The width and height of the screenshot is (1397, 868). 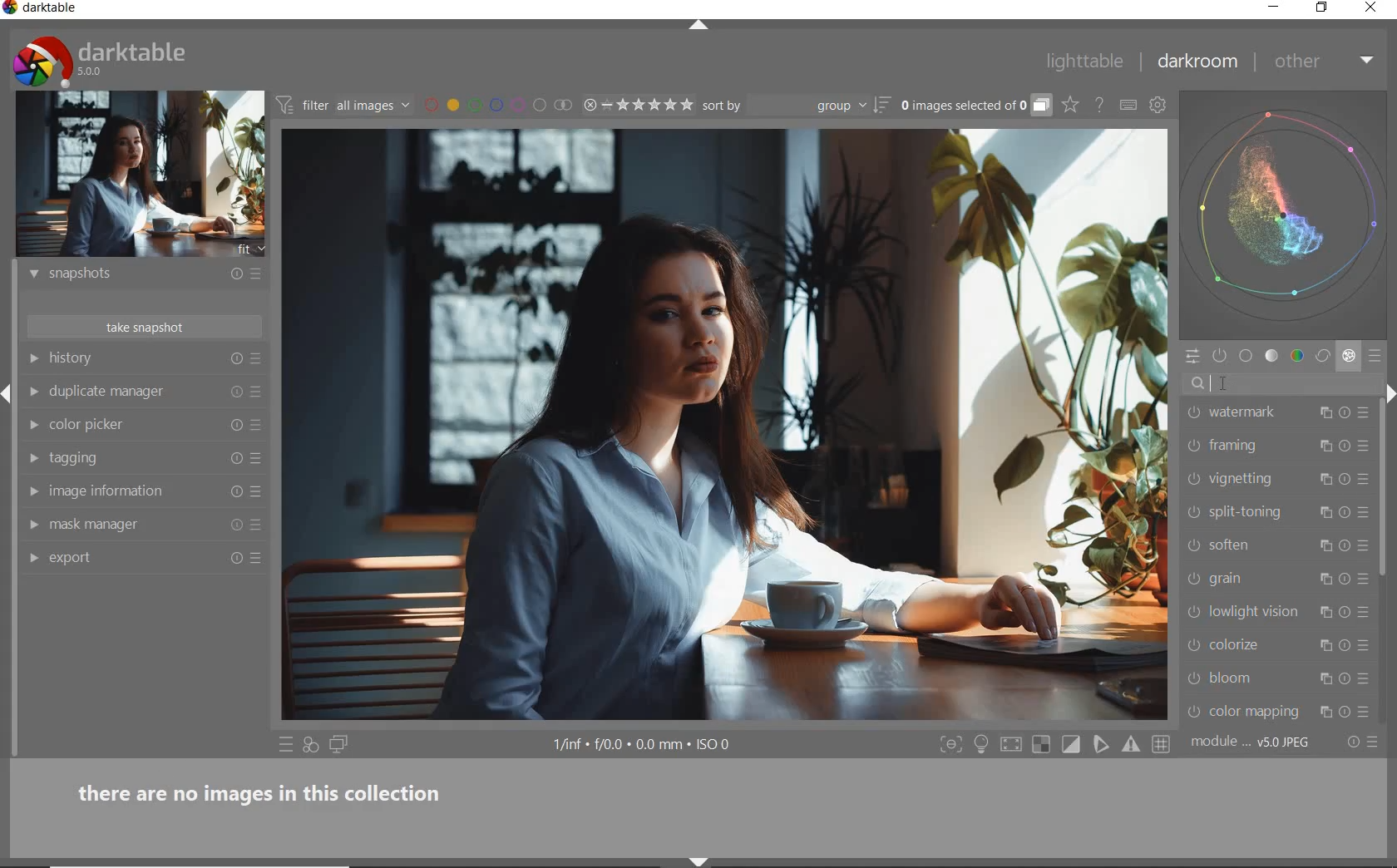 What do you see at coordinates (121, 459) in the screenshot?
I see `tagging` at bounding box center [121, 459].